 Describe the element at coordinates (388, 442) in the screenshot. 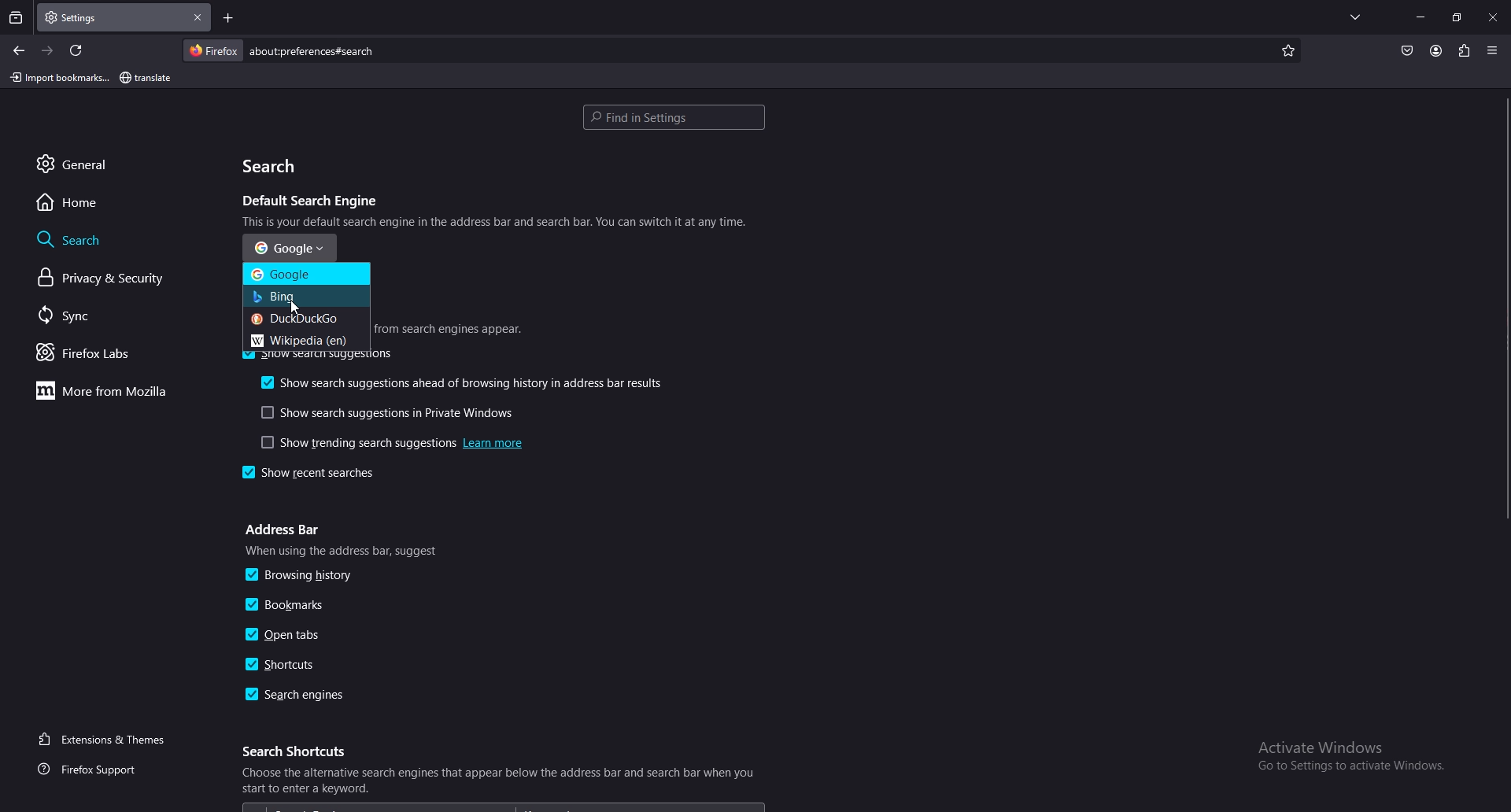

I see `show trending search suggestions` at that location.